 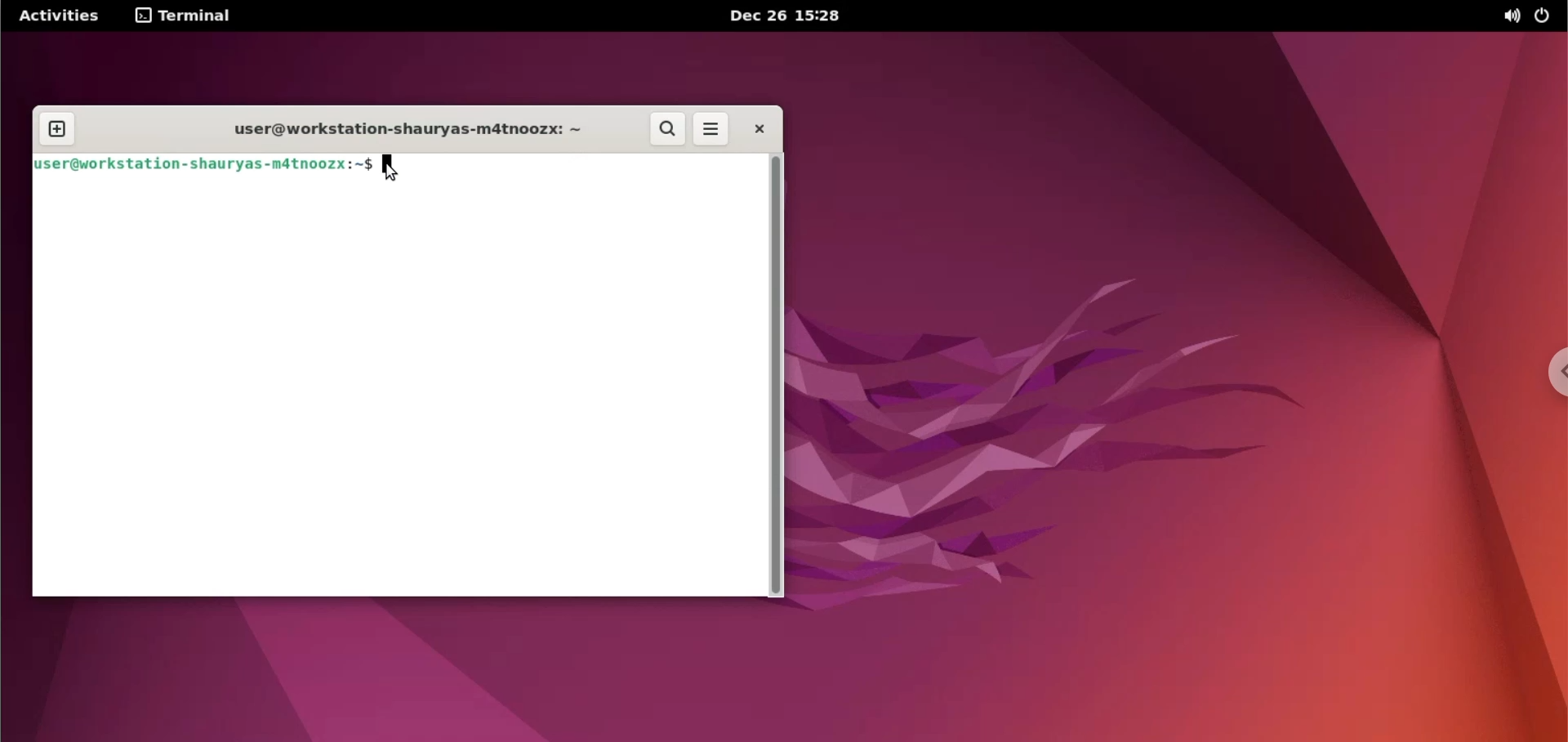 What do you see at coordinates (188, 17) in the screenshot?
I see `terminal` at bounding box center [188, 17].